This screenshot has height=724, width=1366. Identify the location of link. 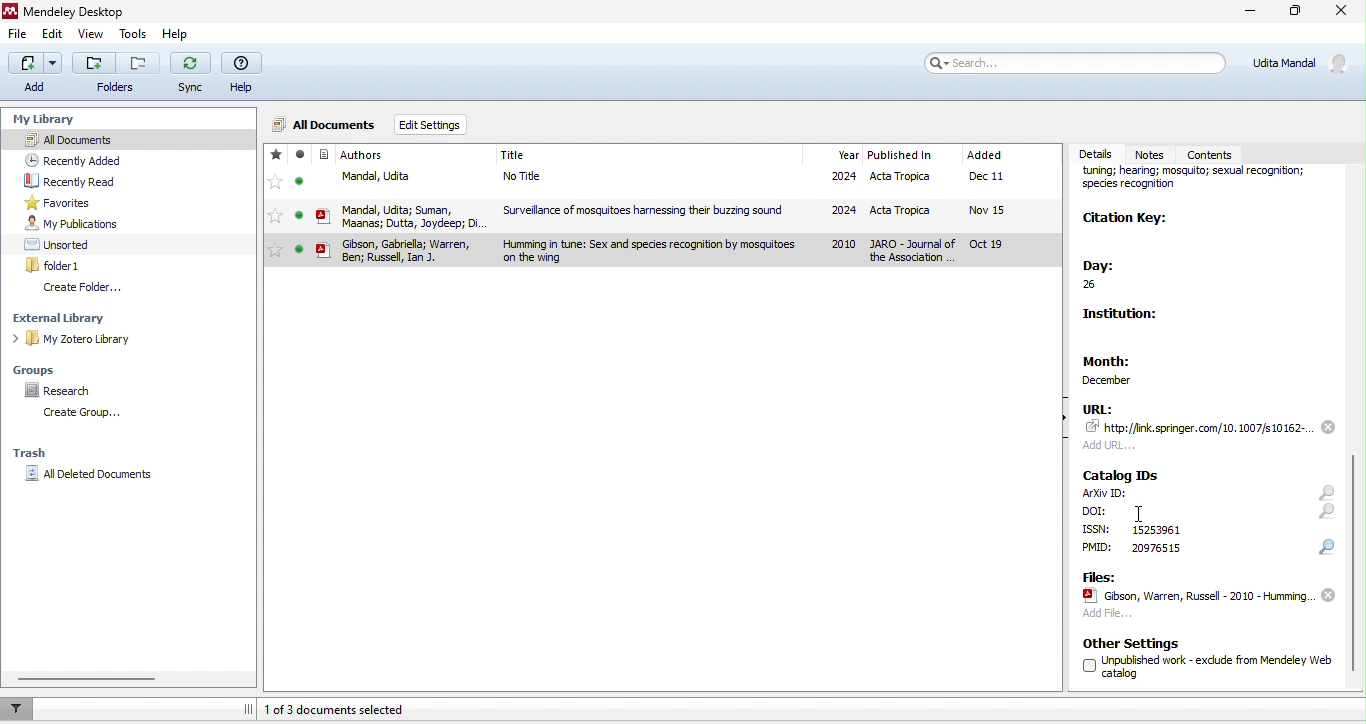
(1200, 427).